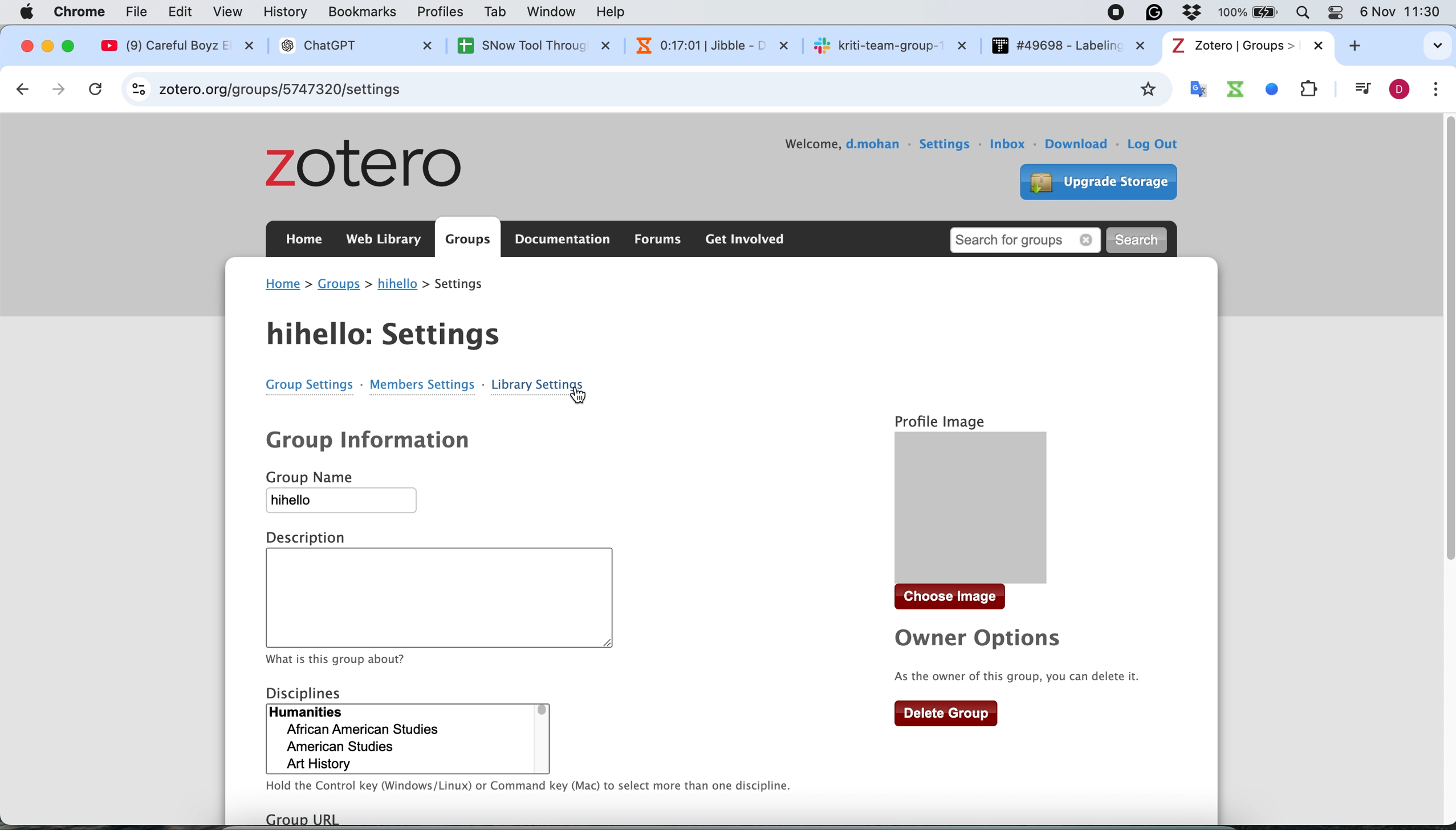  Describe the element at coordinates (527, 791) in the screenshot. I see `Hold the control key (windows/linux) or command key (Mac) to select more than one discipline.` at that location.